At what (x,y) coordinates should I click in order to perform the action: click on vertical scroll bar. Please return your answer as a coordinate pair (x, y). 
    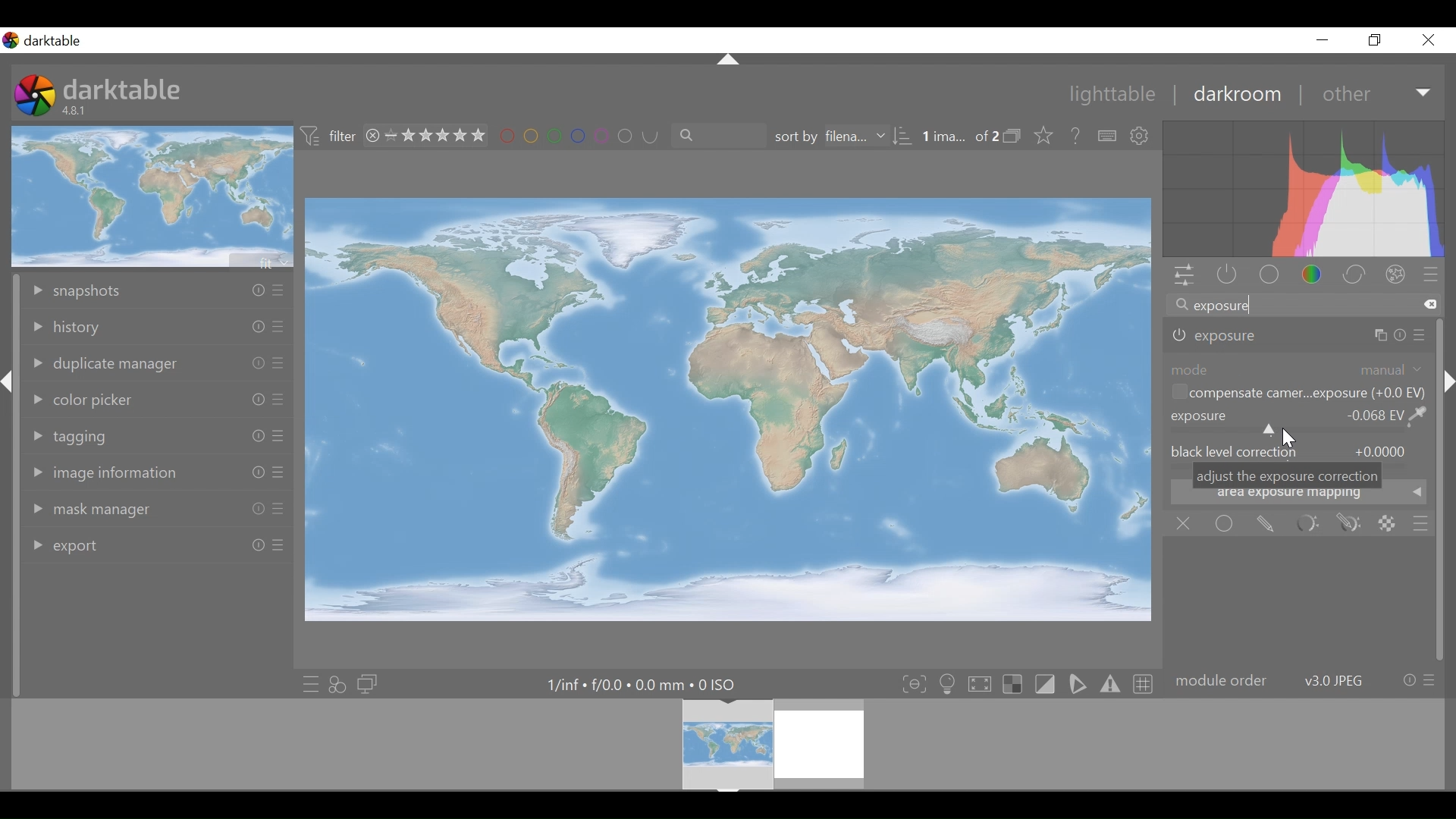
    Looking at the image, I should click on (1442, 539).